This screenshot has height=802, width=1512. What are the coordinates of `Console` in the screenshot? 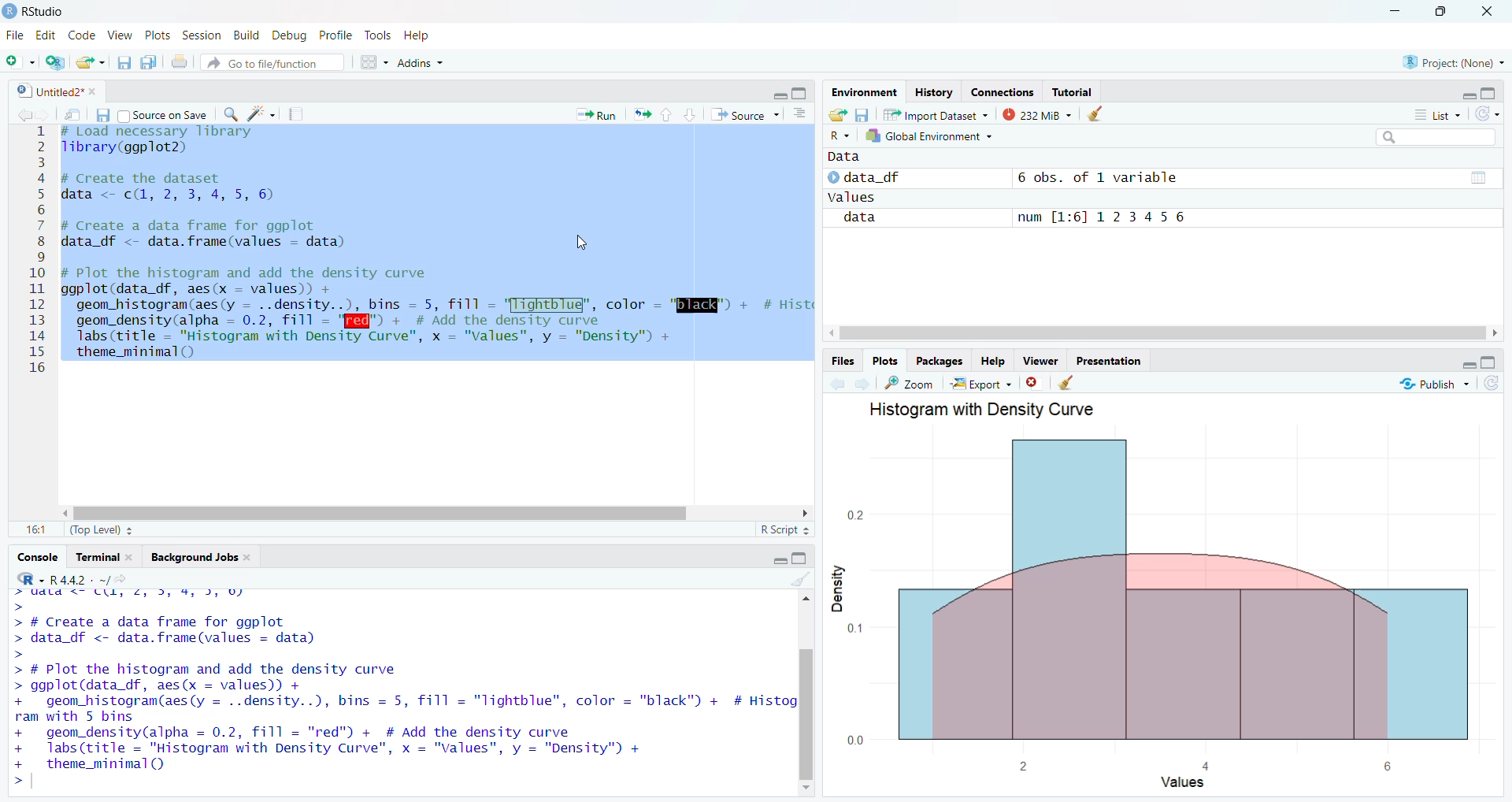 It's located at (37, 555).